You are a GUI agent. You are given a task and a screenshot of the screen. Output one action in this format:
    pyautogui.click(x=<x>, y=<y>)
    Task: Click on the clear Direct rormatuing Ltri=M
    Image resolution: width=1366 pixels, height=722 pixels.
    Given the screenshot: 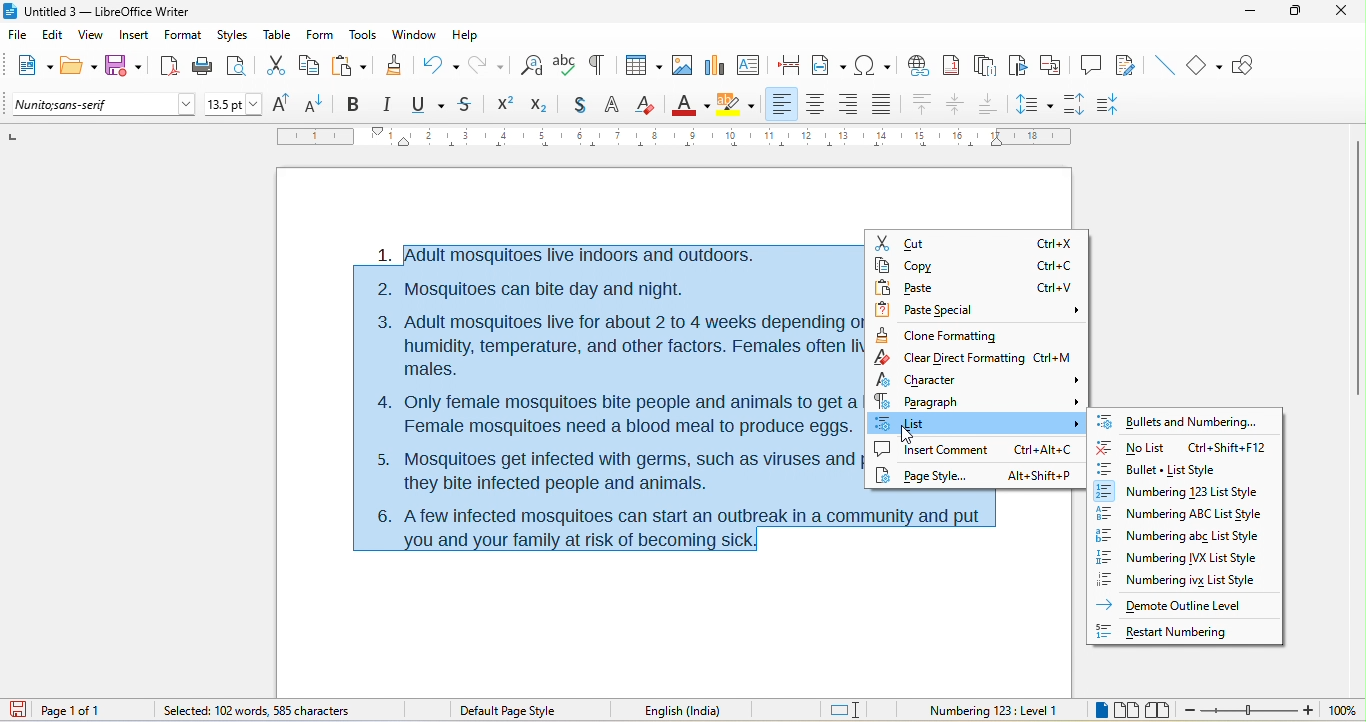 What is the action you would take?
    pyautogui.click(x=970, y=357)
    